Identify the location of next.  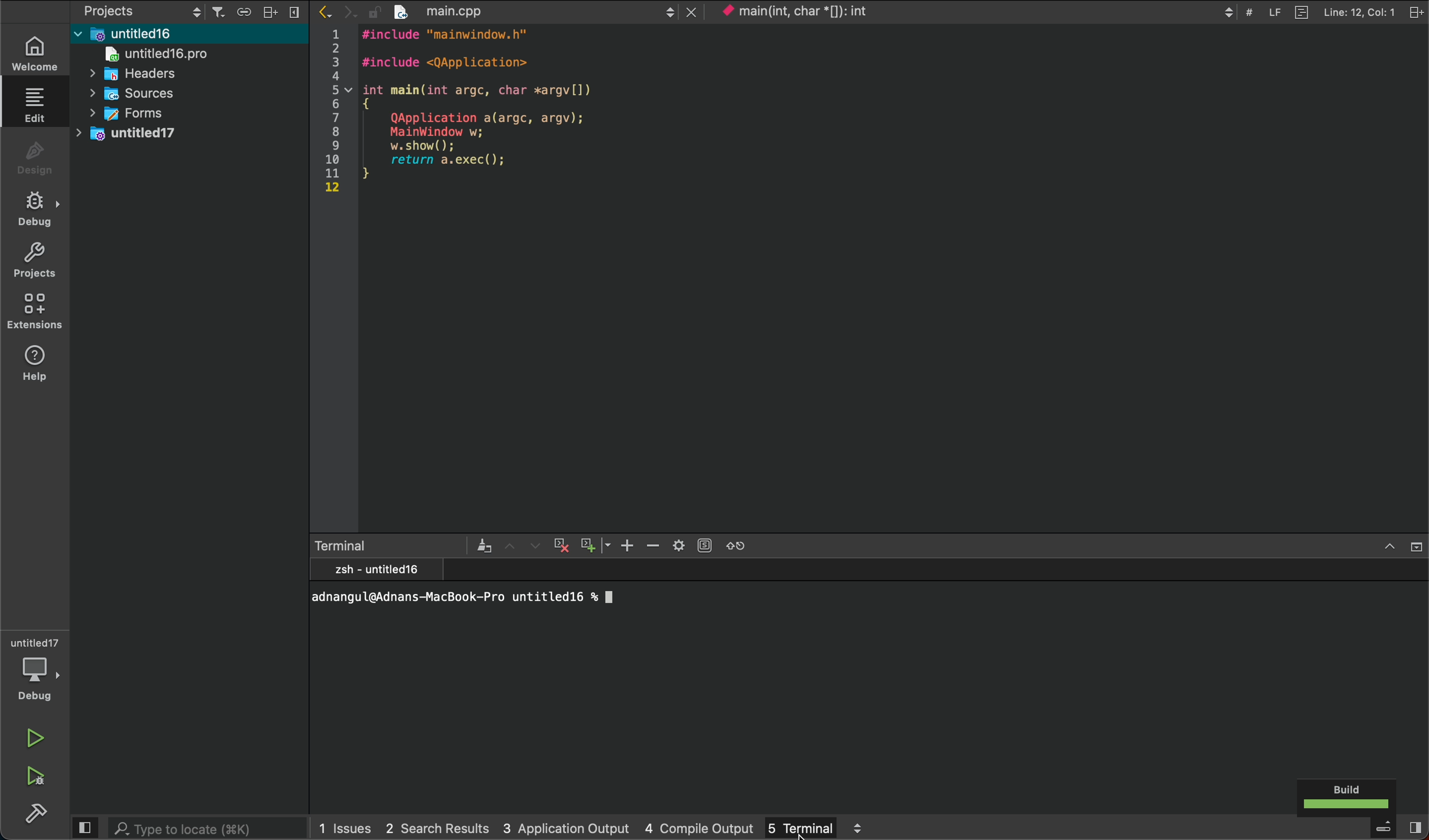
(352, 13).